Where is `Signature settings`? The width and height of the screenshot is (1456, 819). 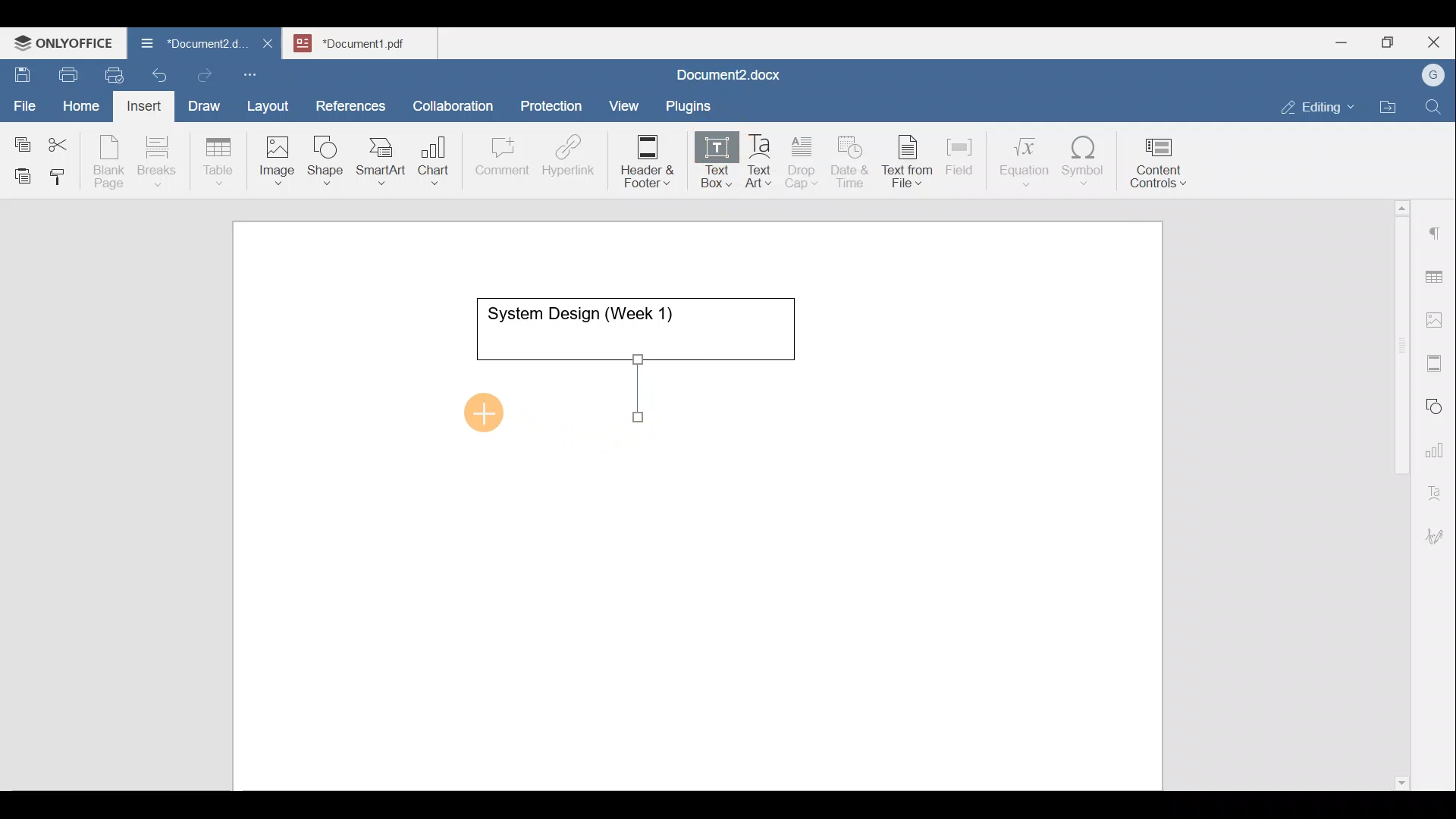
Signature settings is located at coordinates (1439, 531).